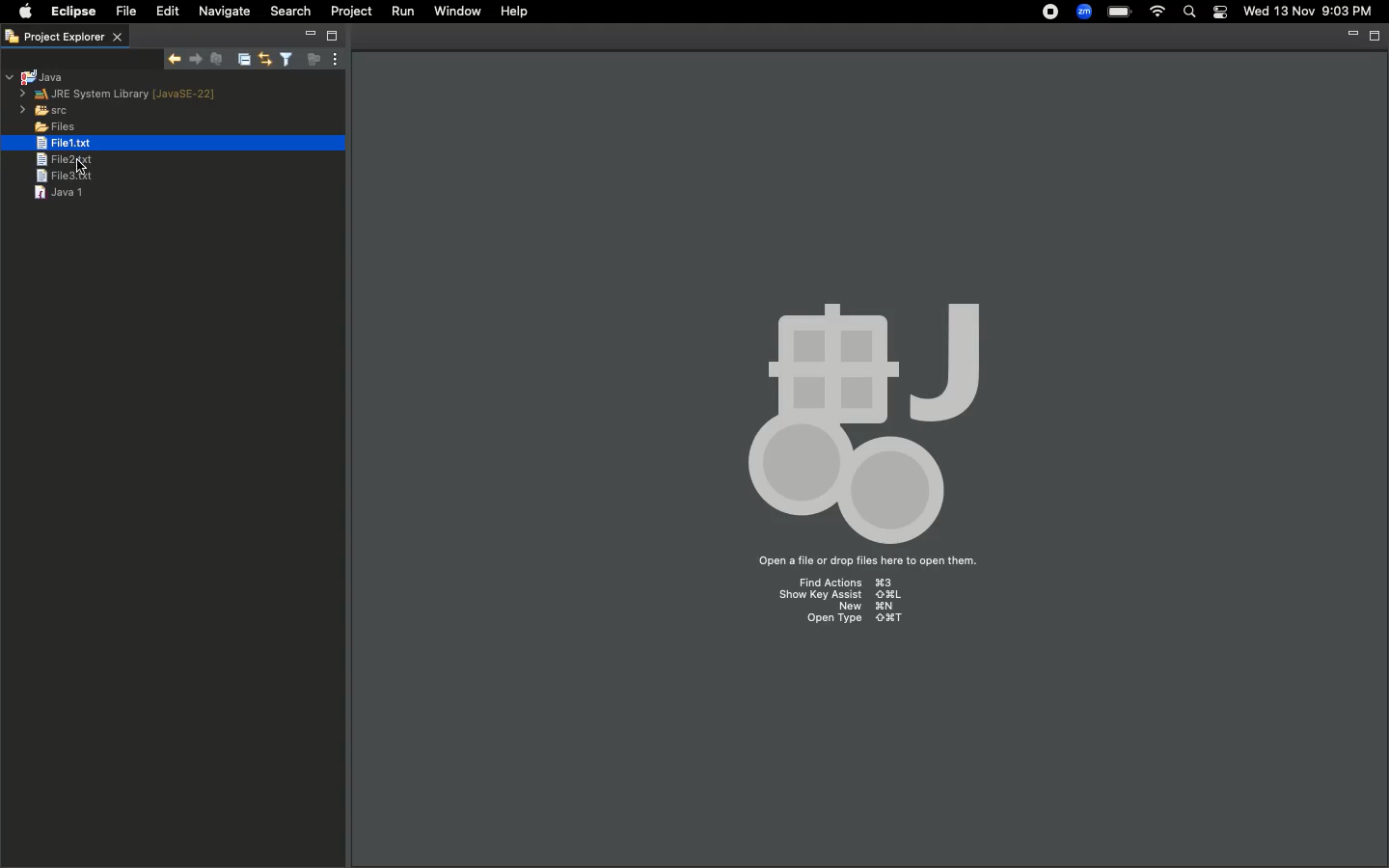 The image size is (1389, 868). Describe the element at coordinates (333, 60) in the screenshot. I see `View menu` at that location.